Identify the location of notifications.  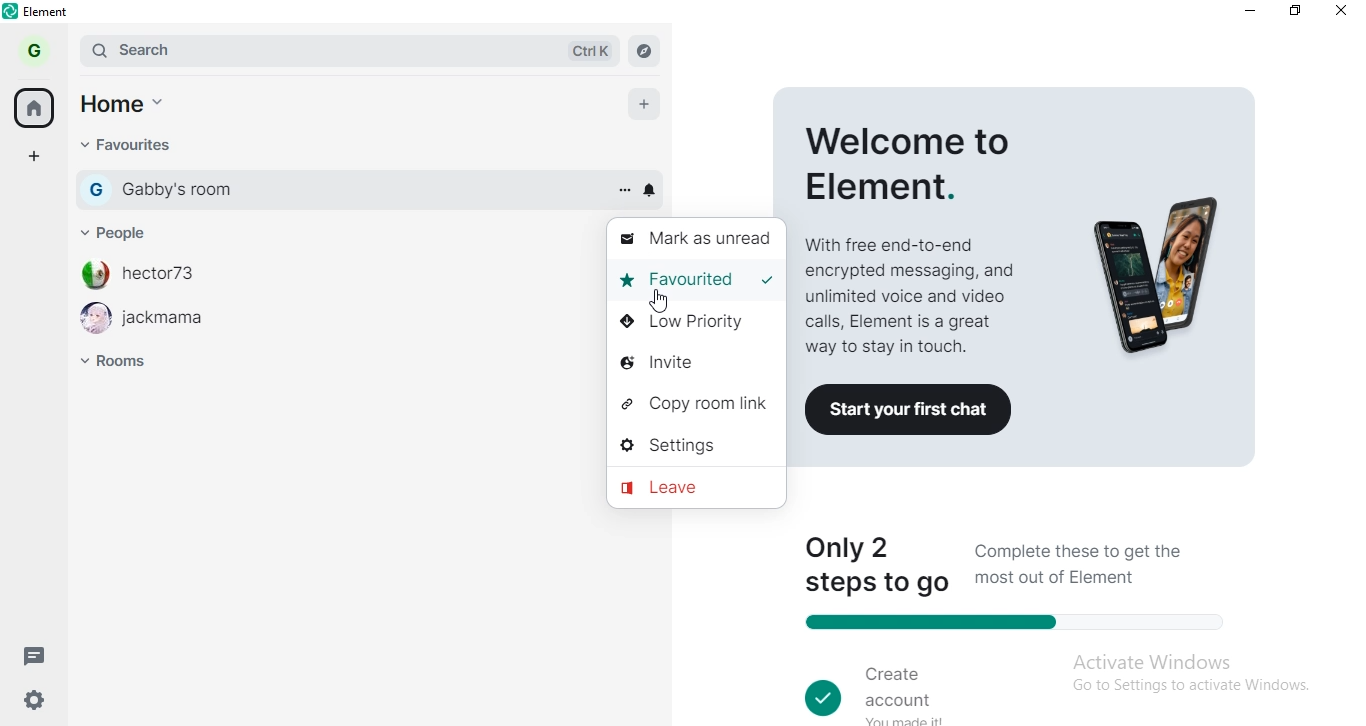
(654, 191).